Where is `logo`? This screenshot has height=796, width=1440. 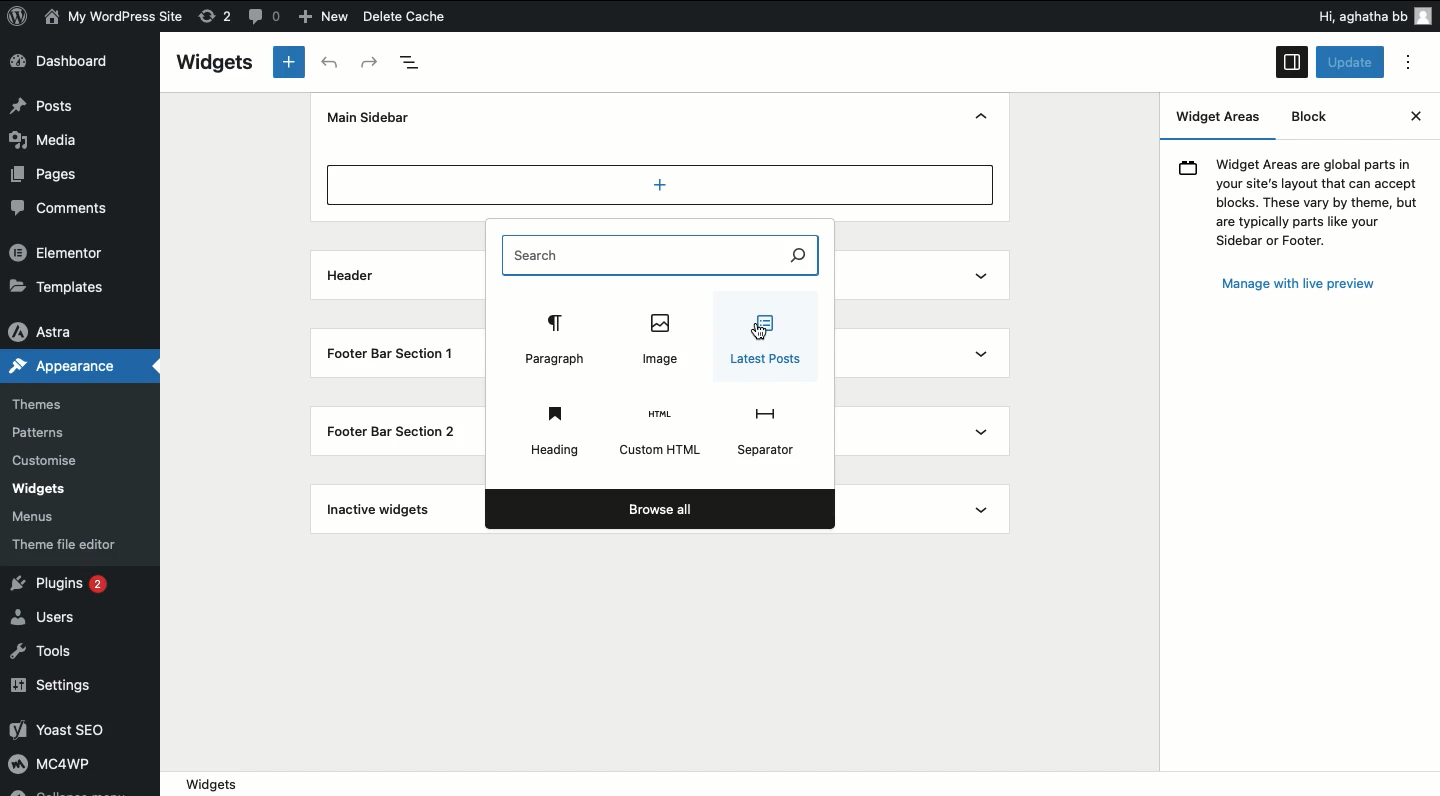
logo is located at coordinates (21, 21).